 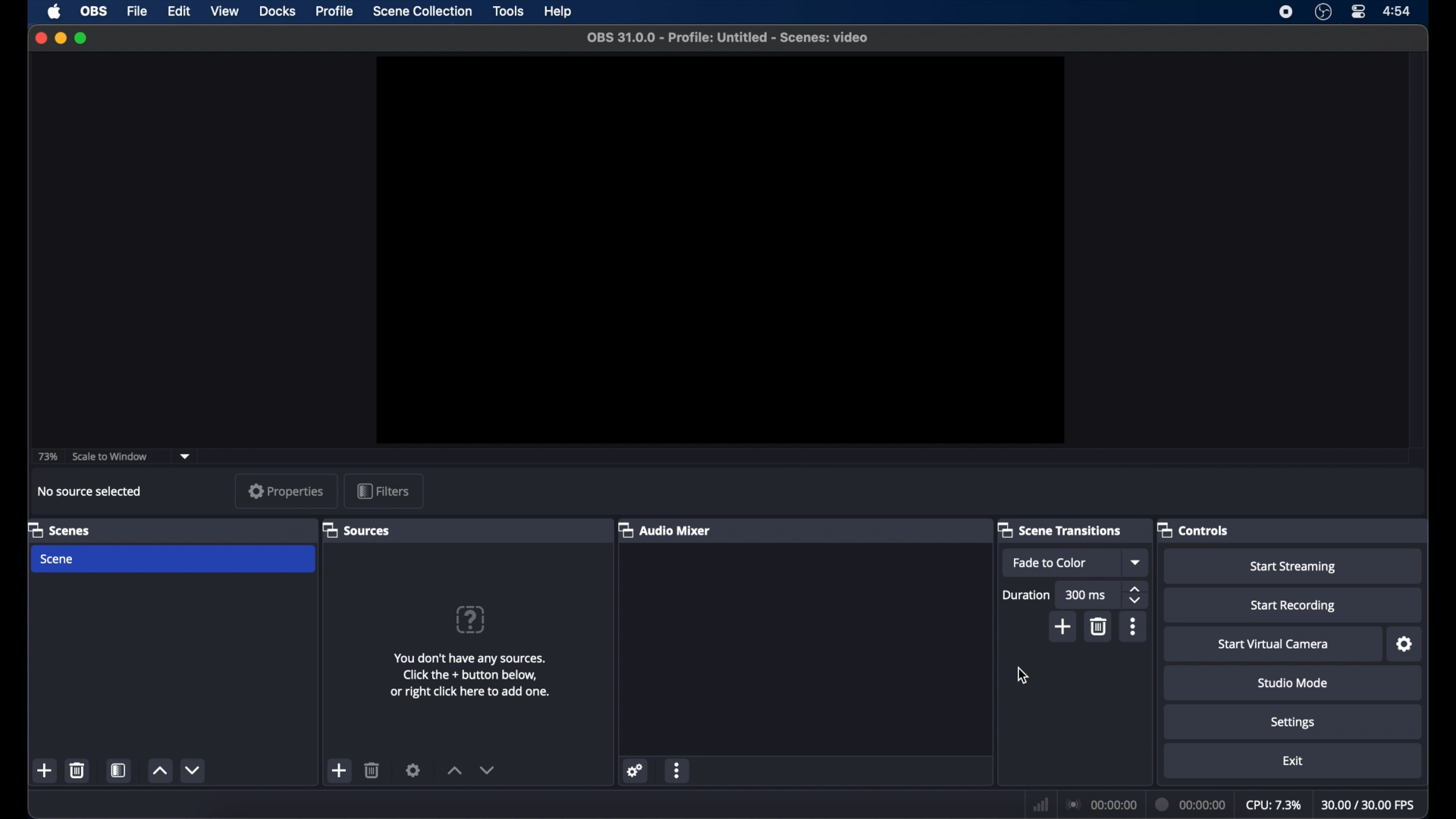 I want to click on sources, so click(x=356, y=529).